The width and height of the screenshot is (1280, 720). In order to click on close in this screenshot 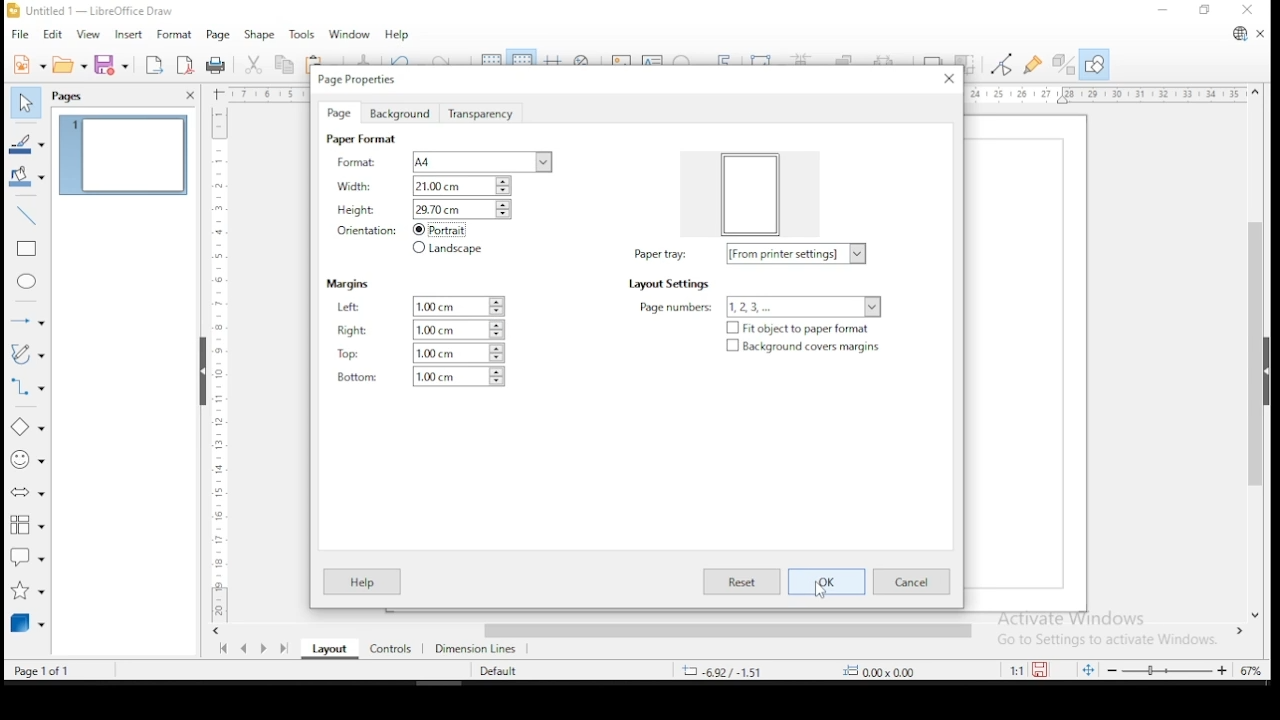, I will do `click(947, 78)`.